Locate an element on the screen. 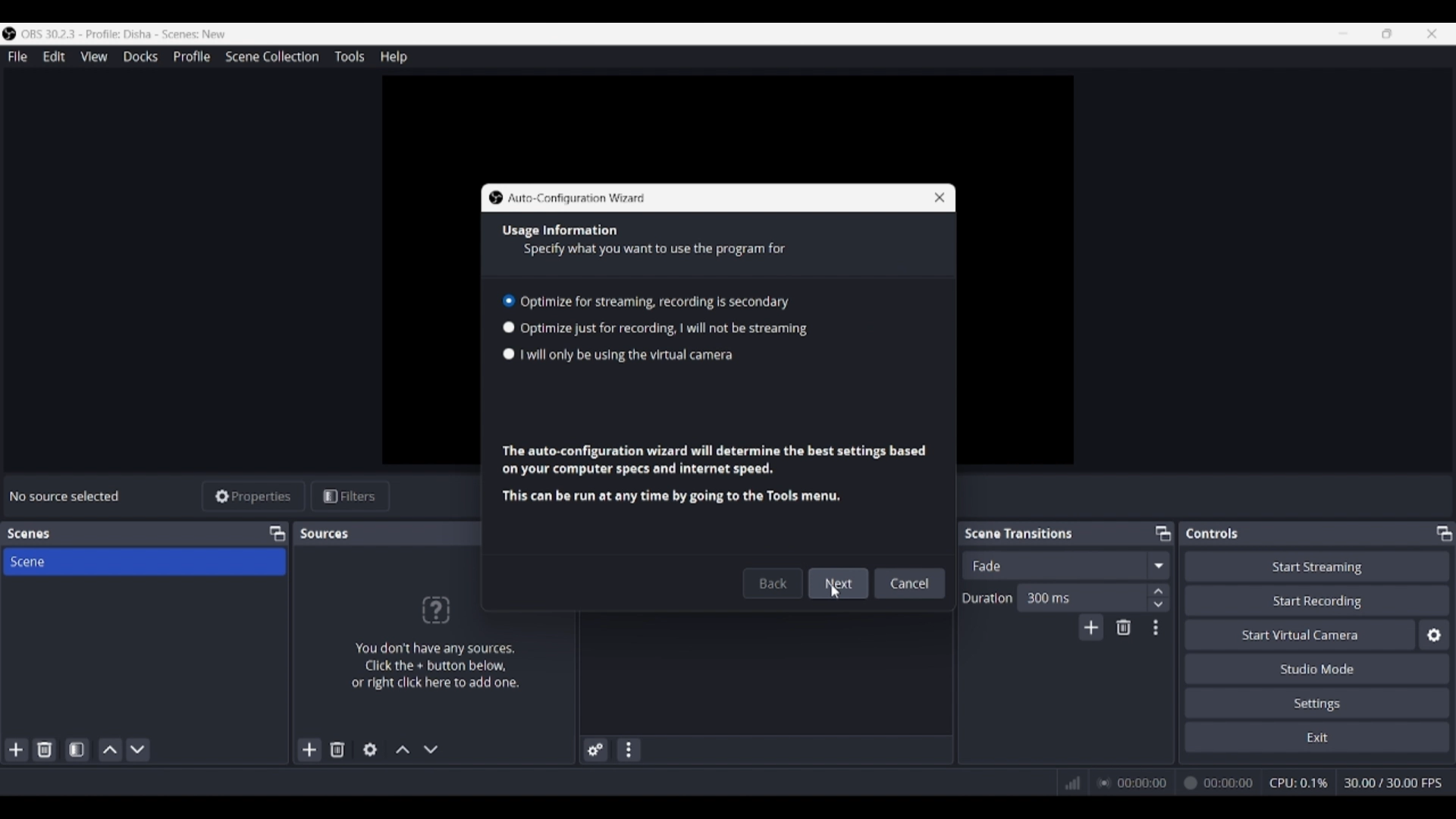 The height and width of the screenshot is (819, 1456). Cancel is located at coordinates (910, 583).